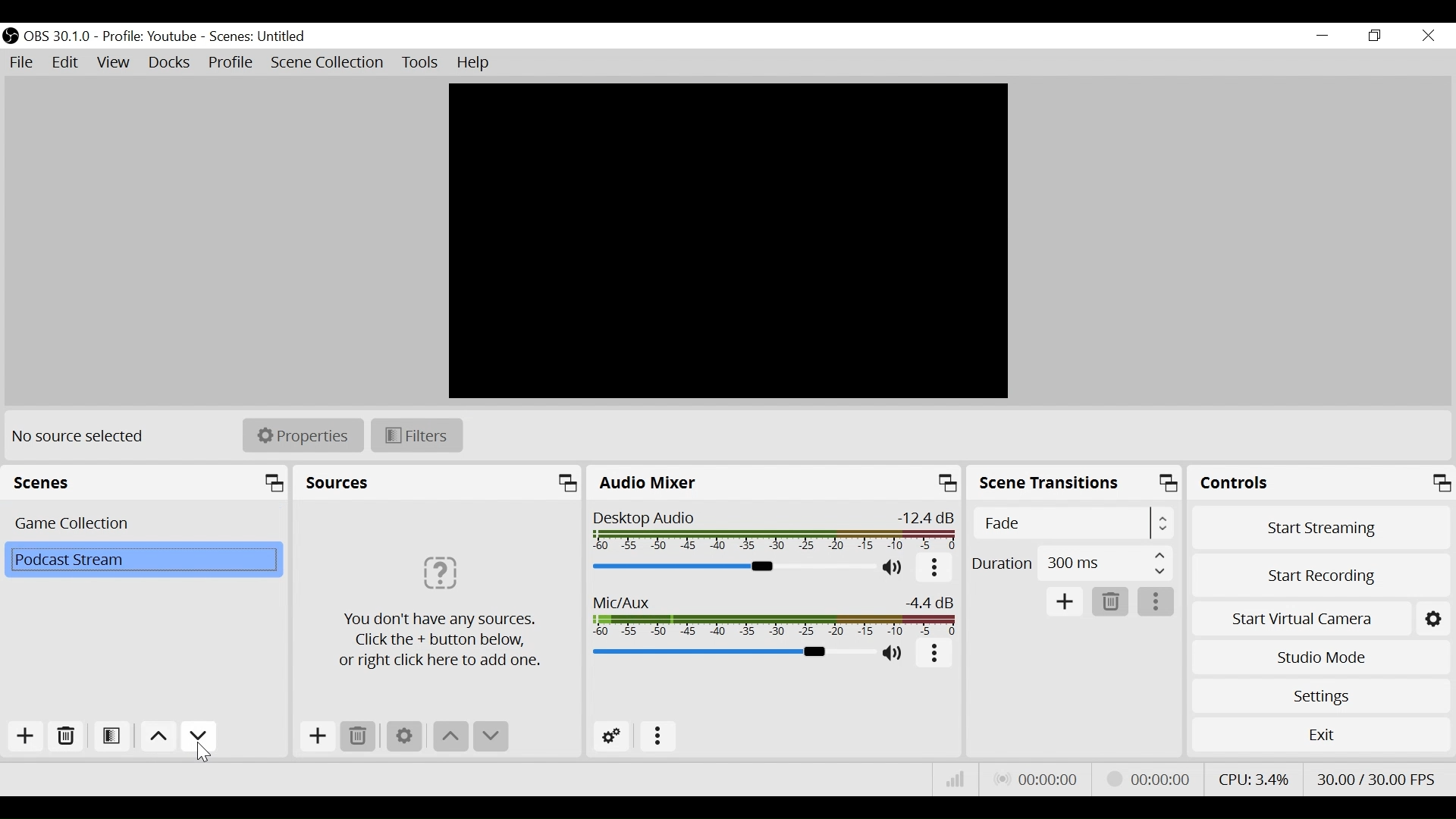  Describe the element at coordinates (113, 738) in the screenshot. I see `Open Scene Filter` at that location.